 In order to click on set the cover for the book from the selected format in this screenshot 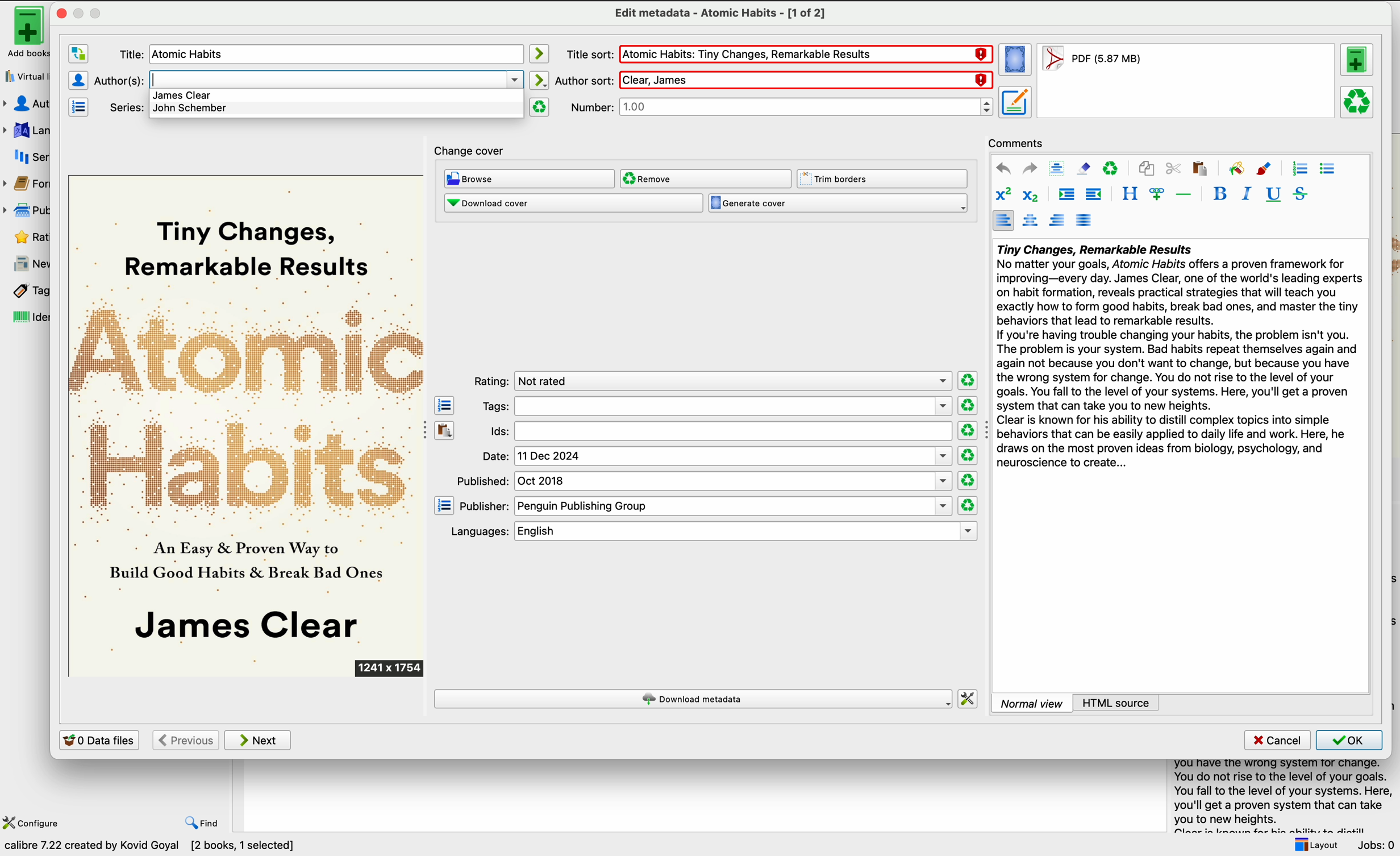, I will do `click(1016, 61)`.